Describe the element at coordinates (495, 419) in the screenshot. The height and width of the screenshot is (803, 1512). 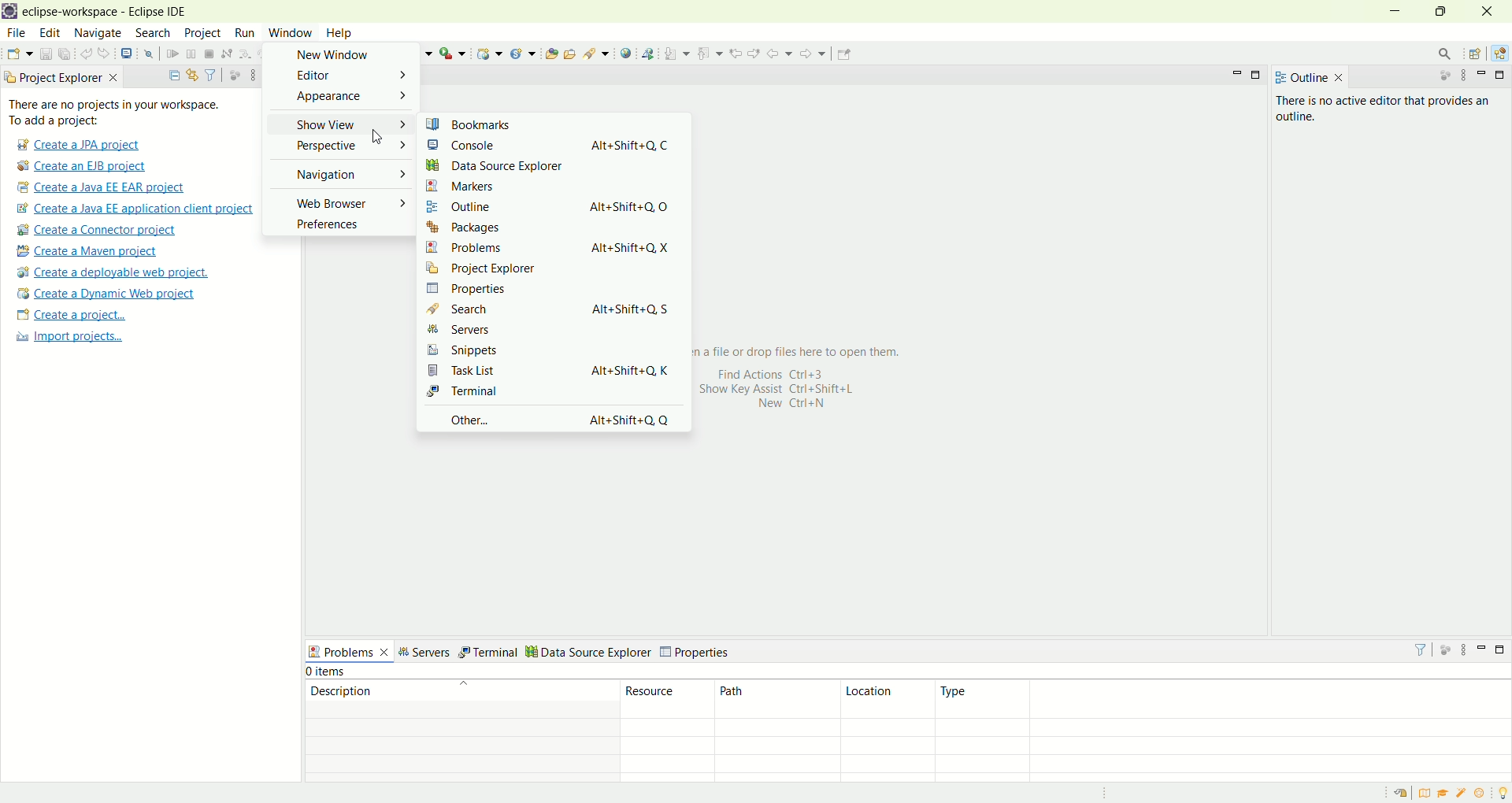
I see `other` at that location.